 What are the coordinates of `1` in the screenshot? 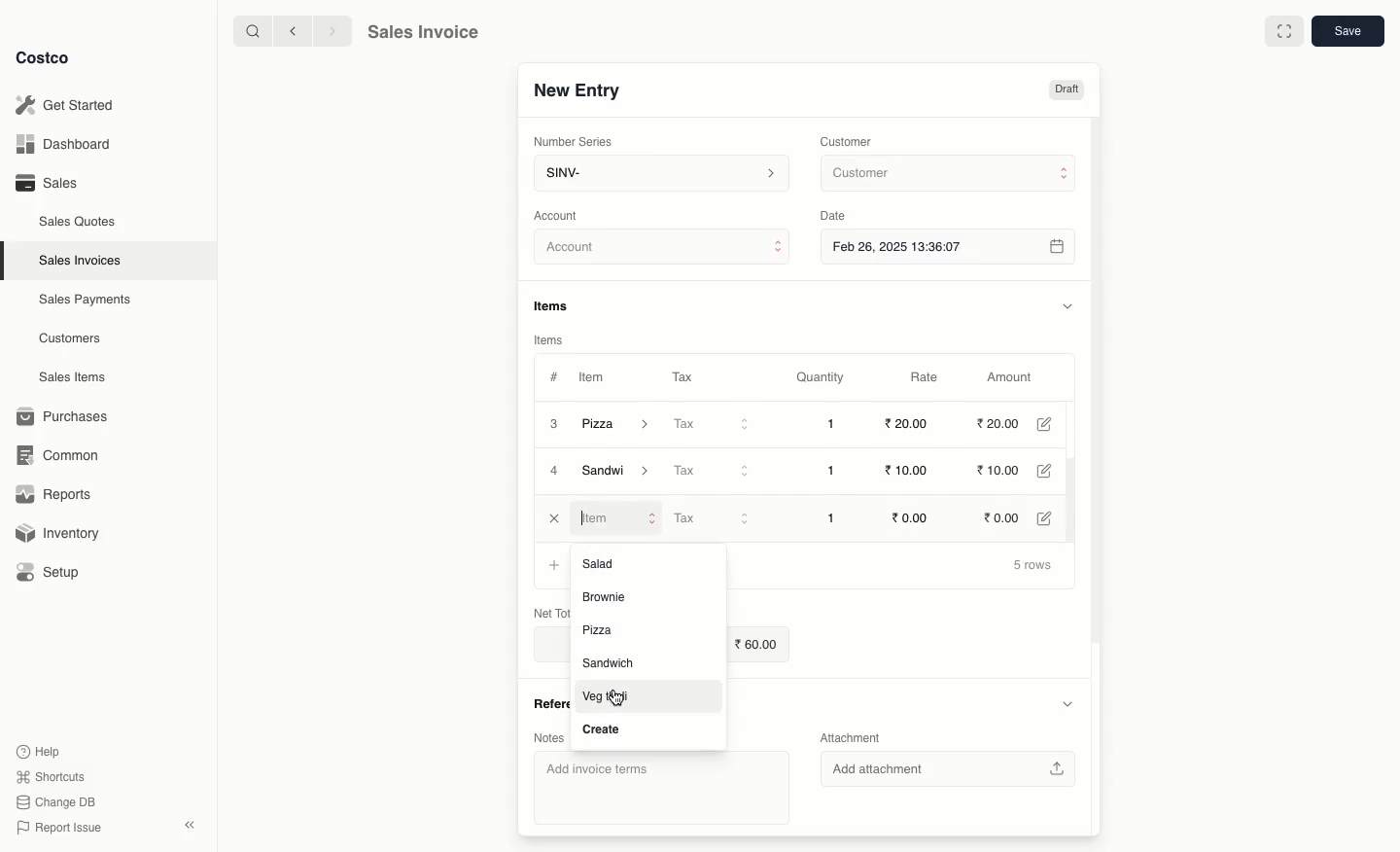 It's located at (834, 516).